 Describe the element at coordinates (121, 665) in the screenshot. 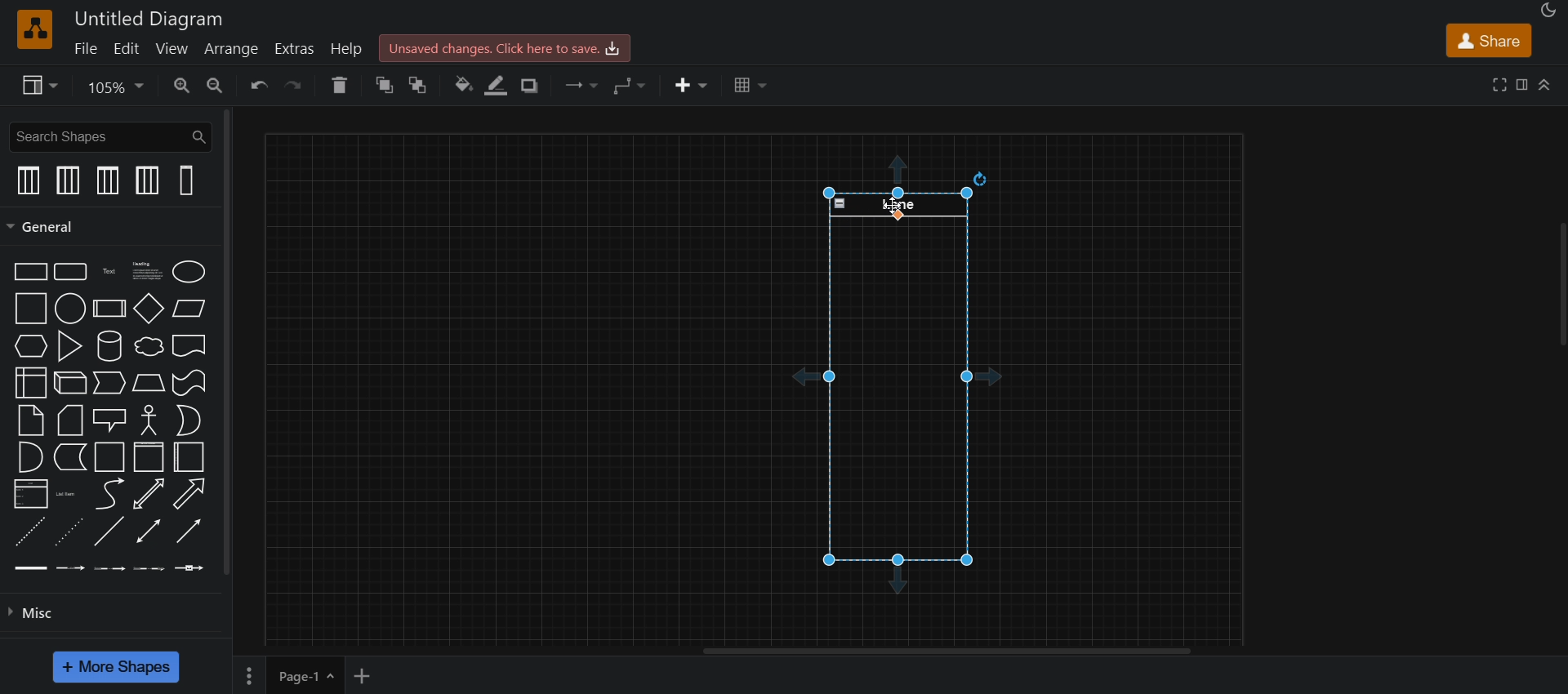

I see `more shapes` at that location.